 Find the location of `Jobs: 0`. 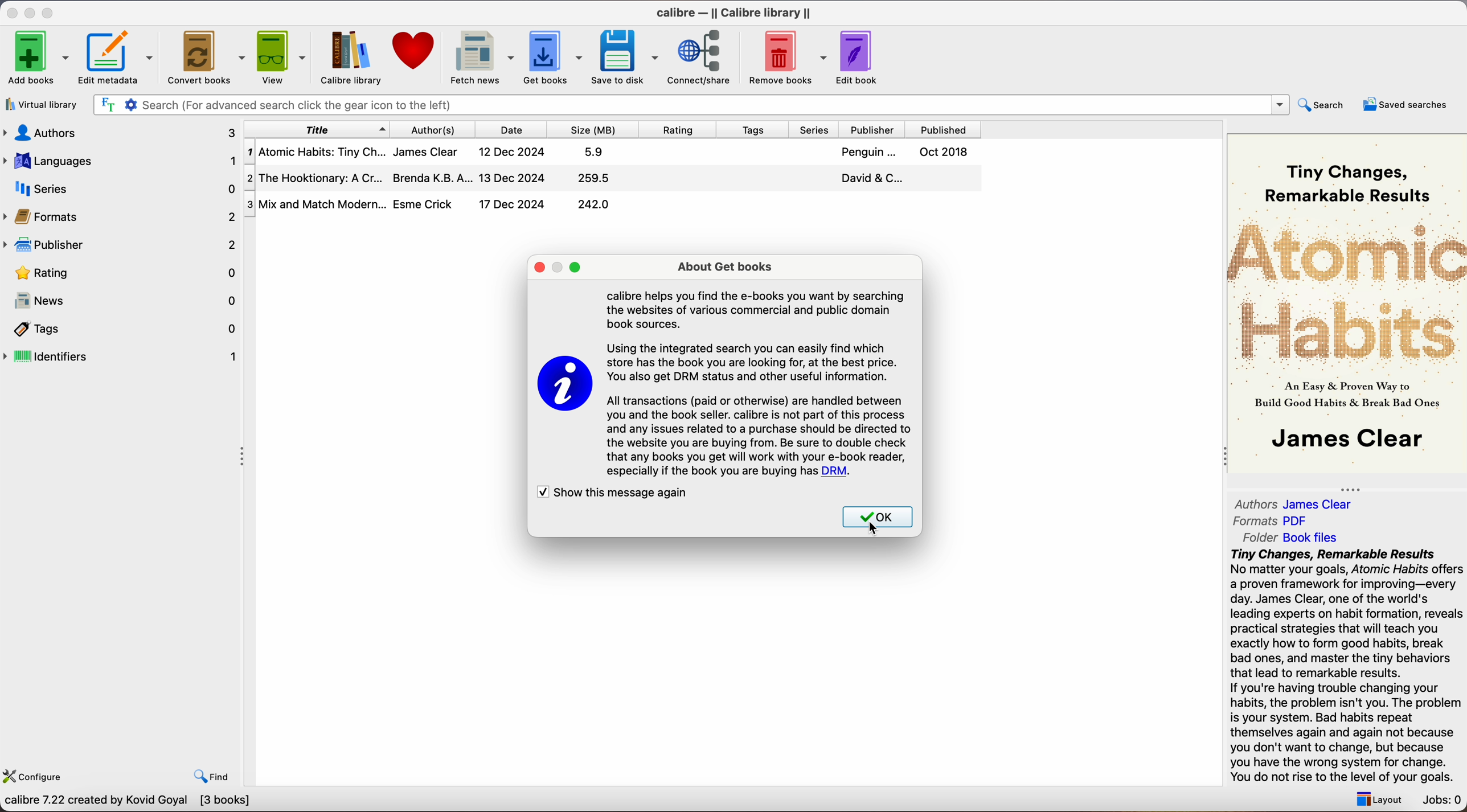

Jobs: 0 is located at coordinates (1443, 801).